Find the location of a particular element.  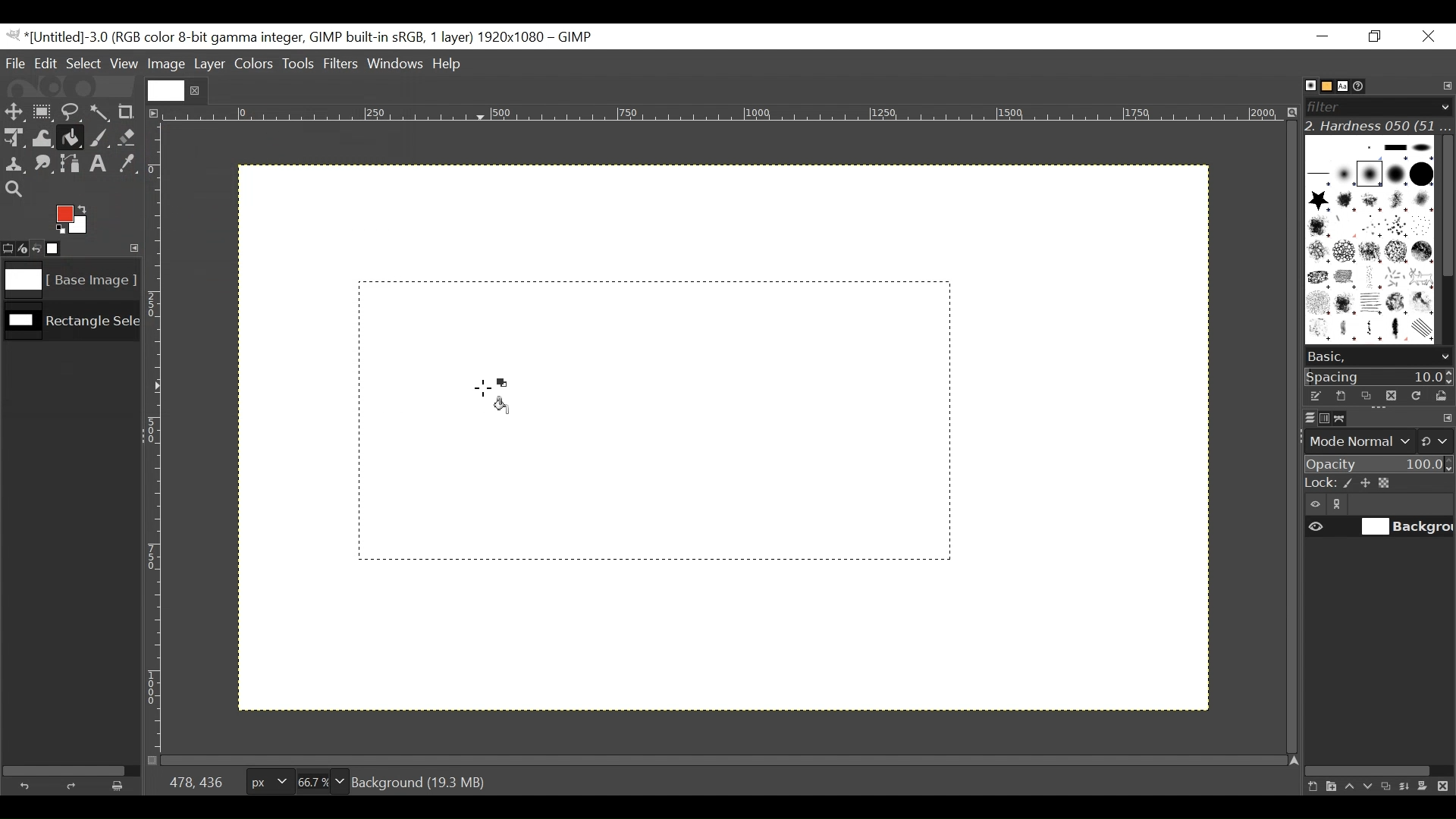

Background is located at coordinates (853, 568).